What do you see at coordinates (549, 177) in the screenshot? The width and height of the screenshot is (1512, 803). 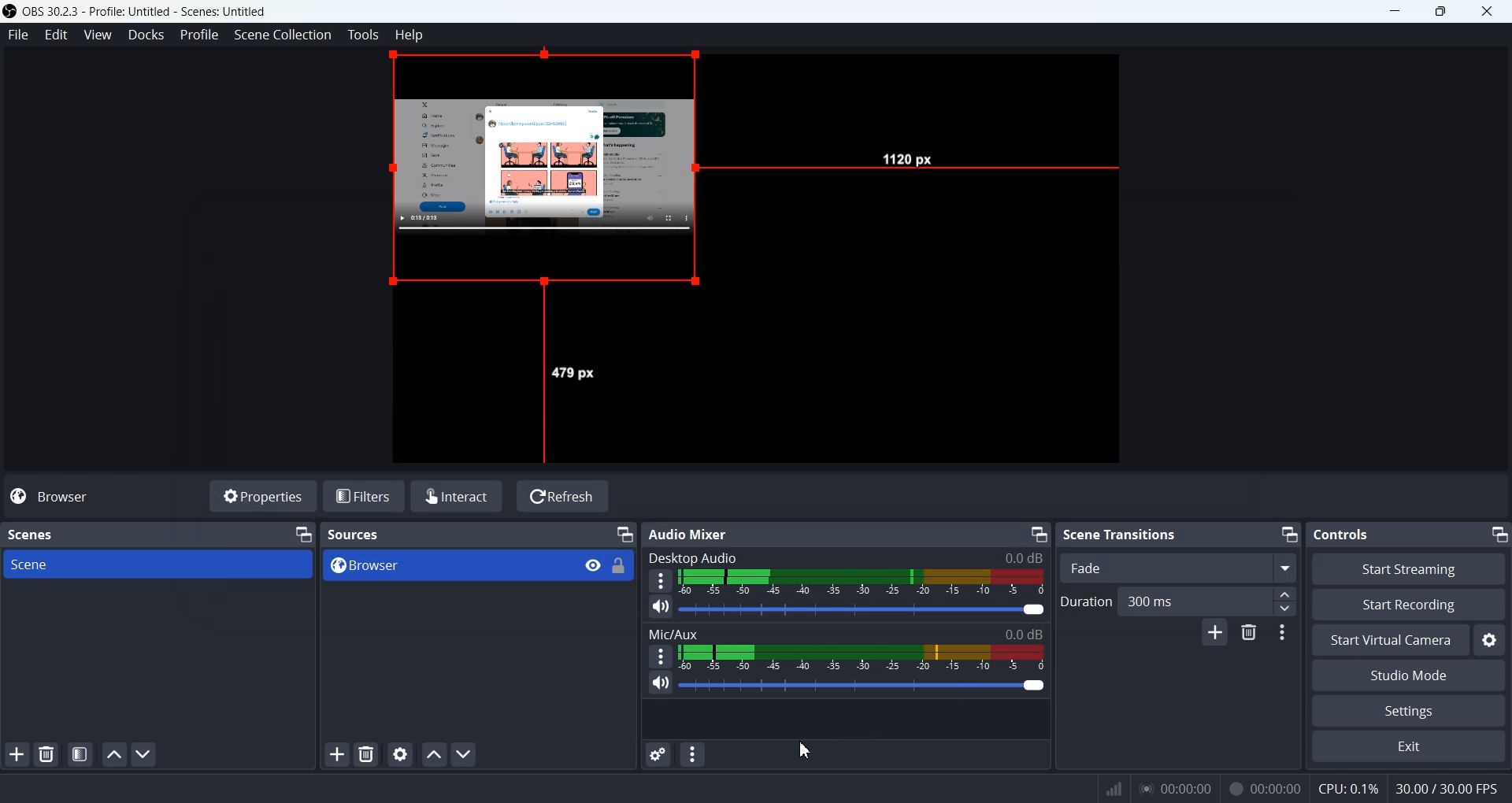 I see `Open sources` at bounding box center [549, 177].